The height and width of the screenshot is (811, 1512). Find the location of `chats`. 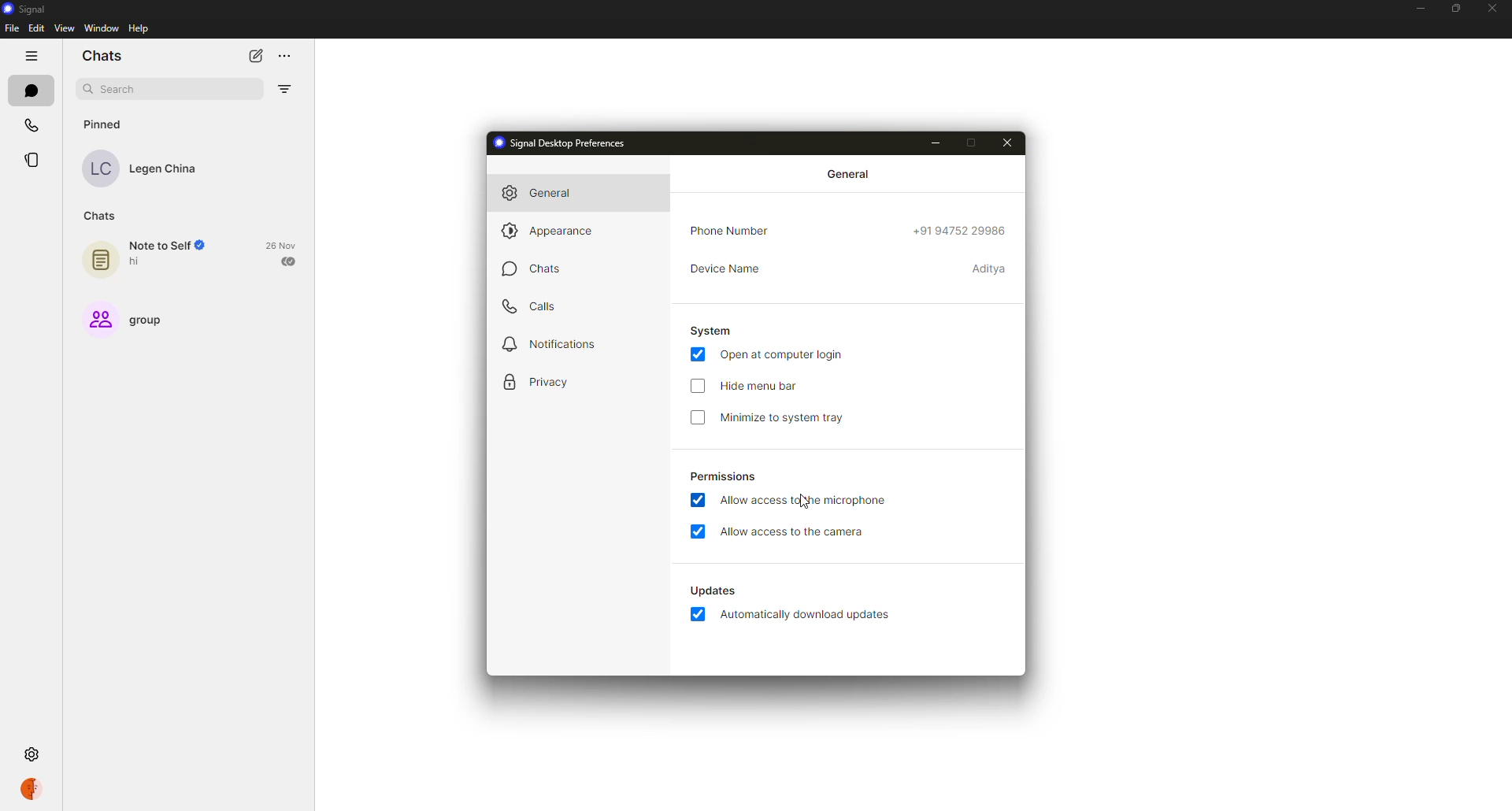

chats is located at coordinates (104, 56).